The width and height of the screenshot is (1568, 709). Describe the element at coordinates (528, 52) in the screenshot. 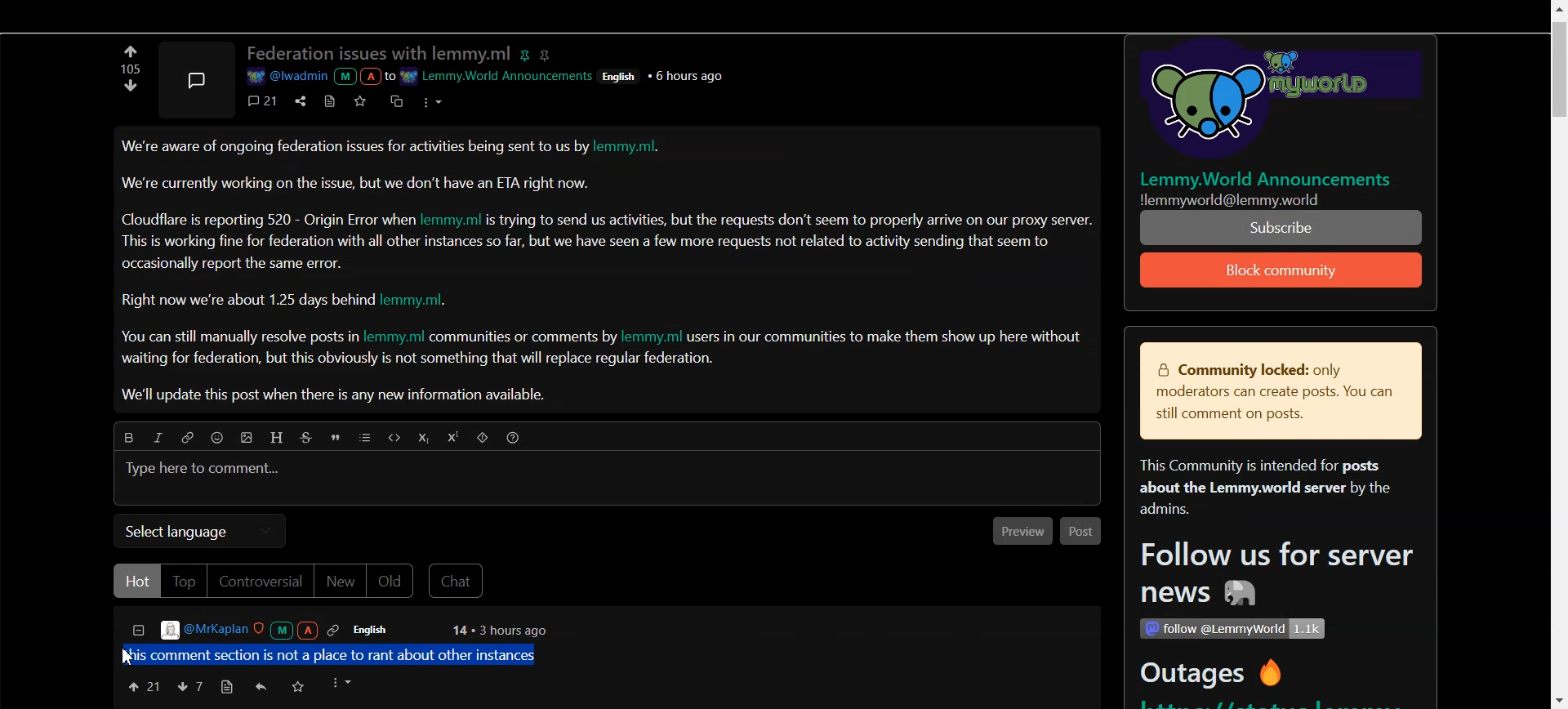

I see `pin` at that location.